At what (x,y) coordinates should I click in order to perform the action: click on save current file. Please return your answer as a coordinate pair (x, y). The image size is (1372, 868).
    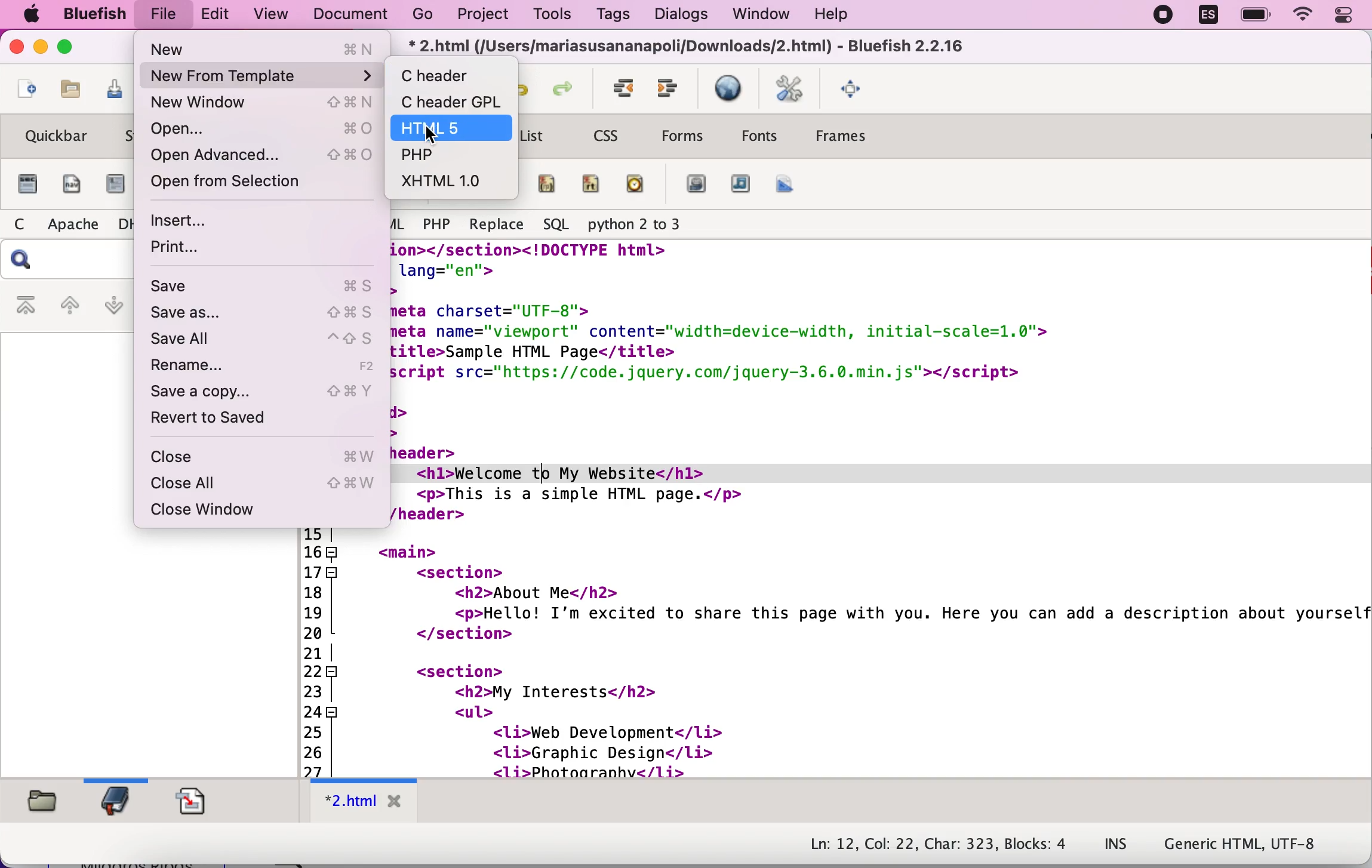
    Looking at the image, I should click on (108, 91).